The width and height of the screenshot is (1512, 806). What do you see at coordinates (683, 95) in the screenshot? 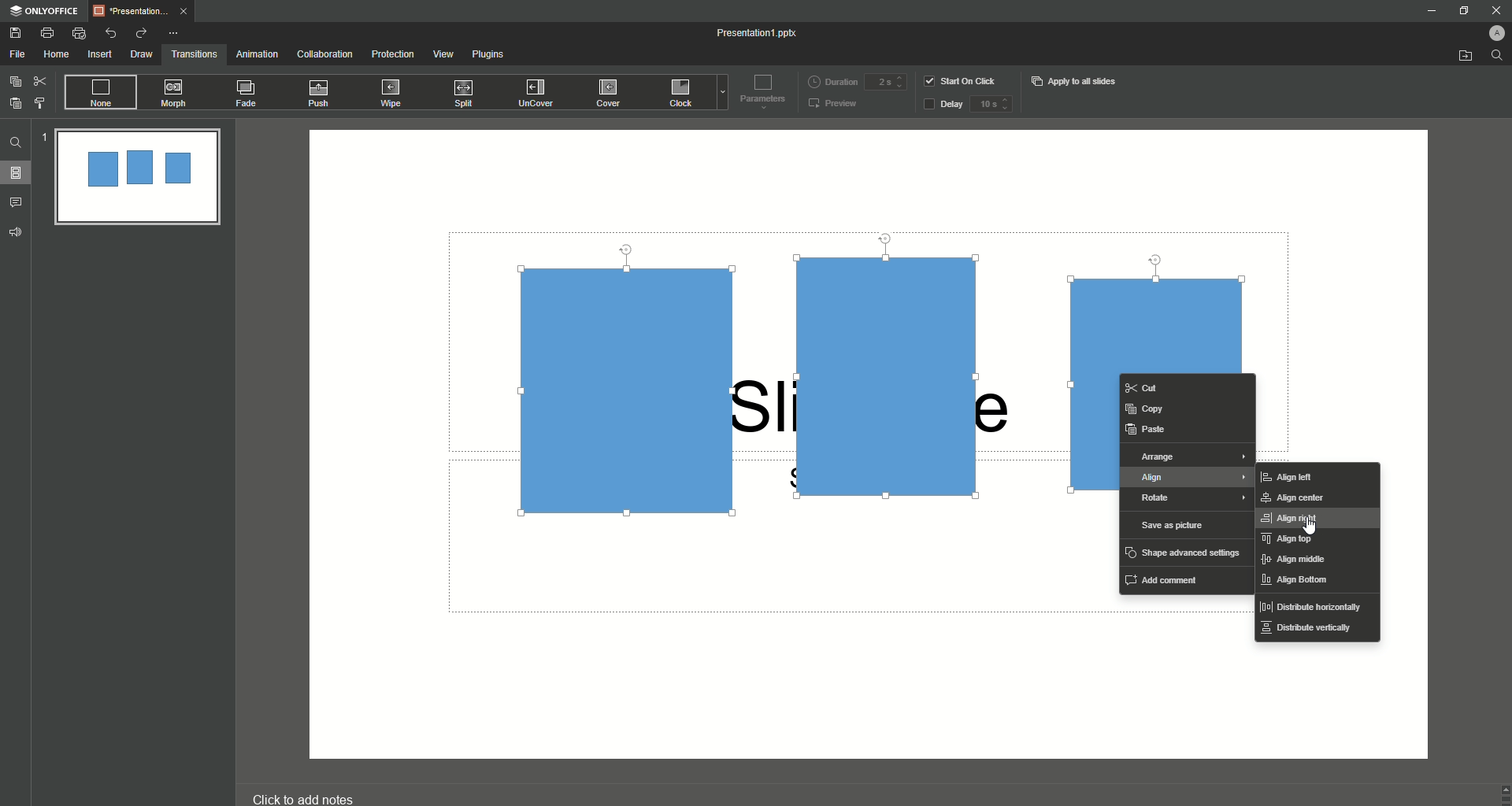
I see `Click` at bounding box center [683, 95].